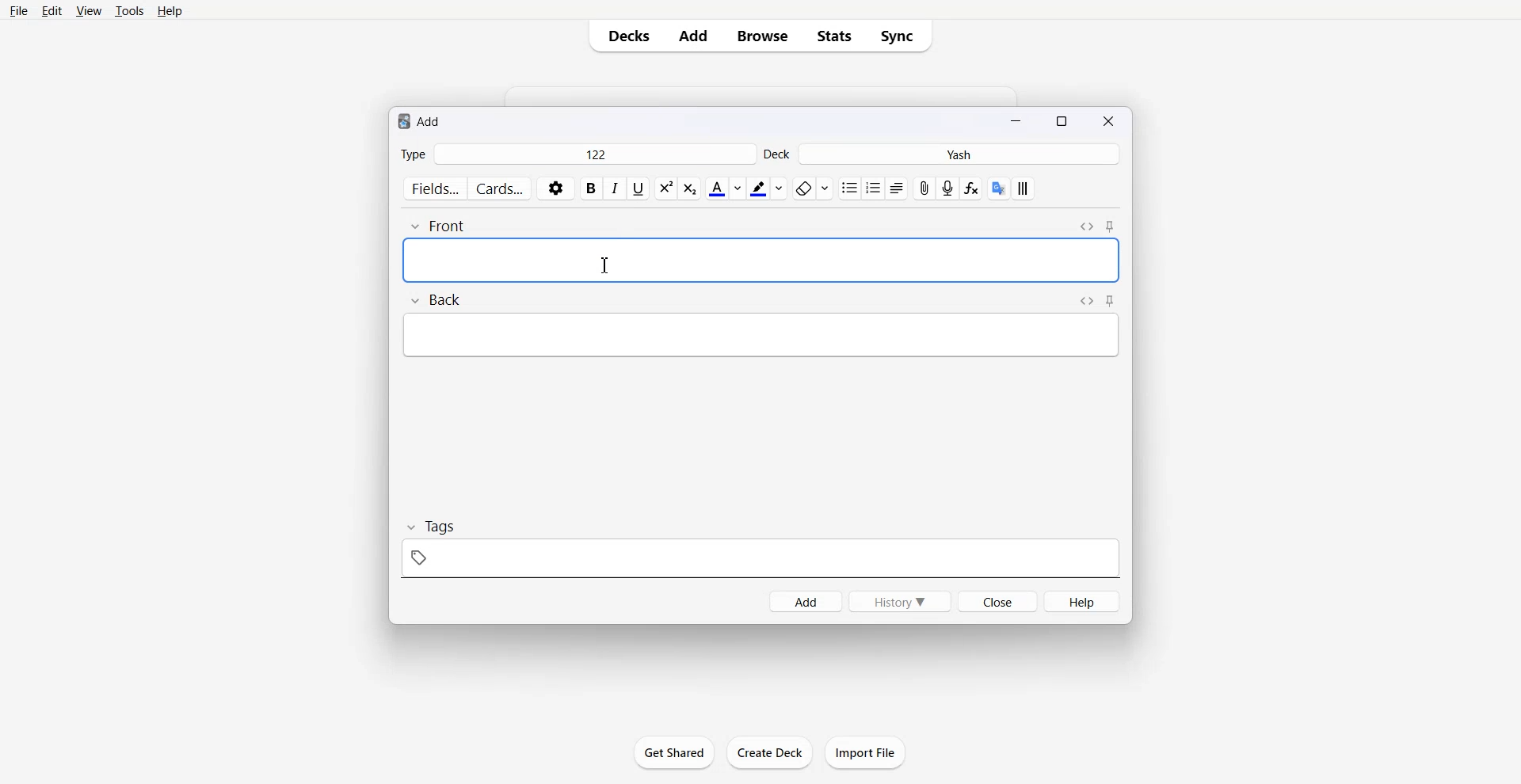 This screenshot has width=1521, height=784. What do you see at coordinates (1018, 120) in the screenshot?
I see `Minimize` at bounding box center [1018, 120].